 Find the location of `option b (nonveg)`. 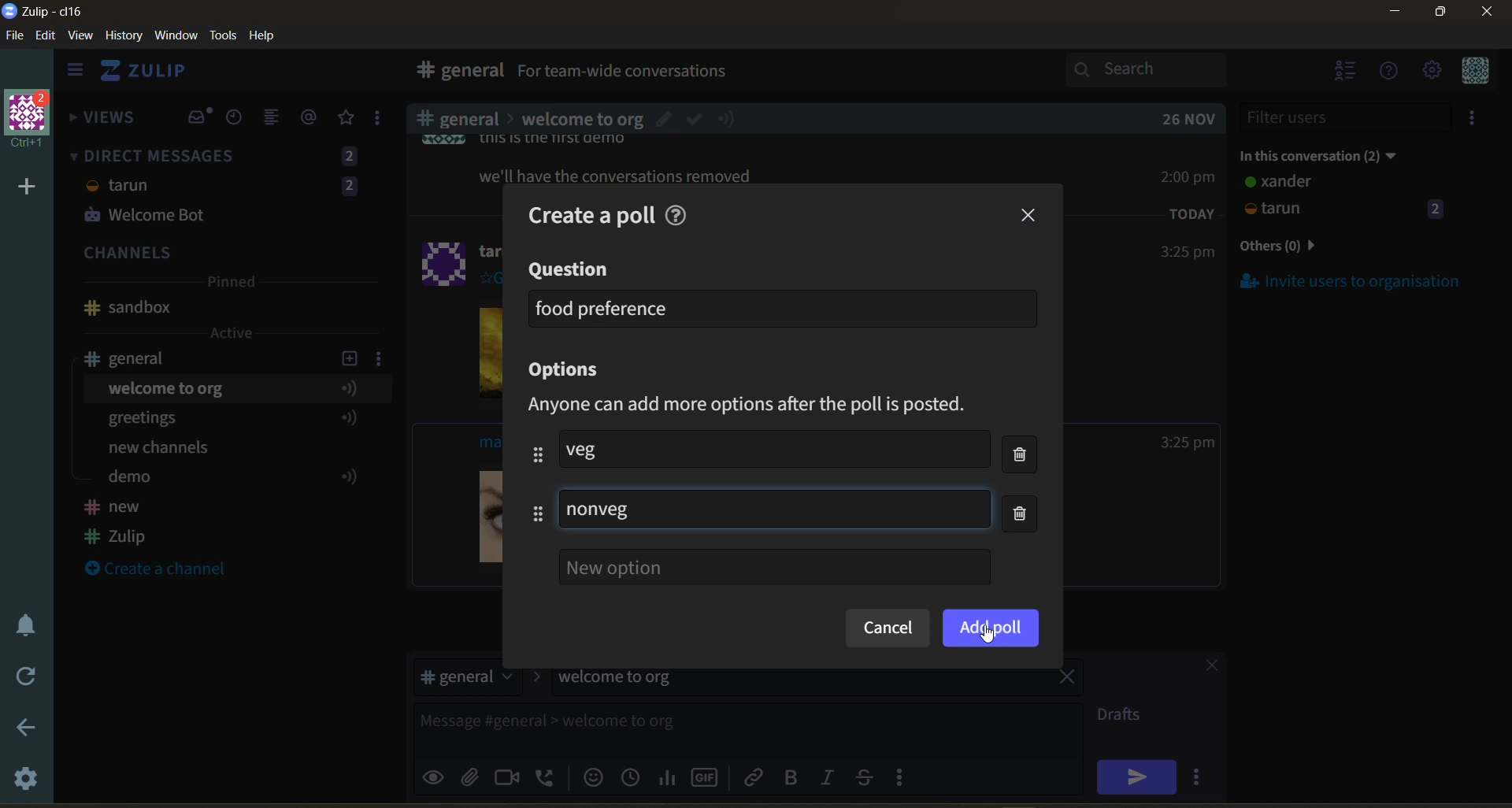

option b (nonveg) is located at coordinates (601, 511).